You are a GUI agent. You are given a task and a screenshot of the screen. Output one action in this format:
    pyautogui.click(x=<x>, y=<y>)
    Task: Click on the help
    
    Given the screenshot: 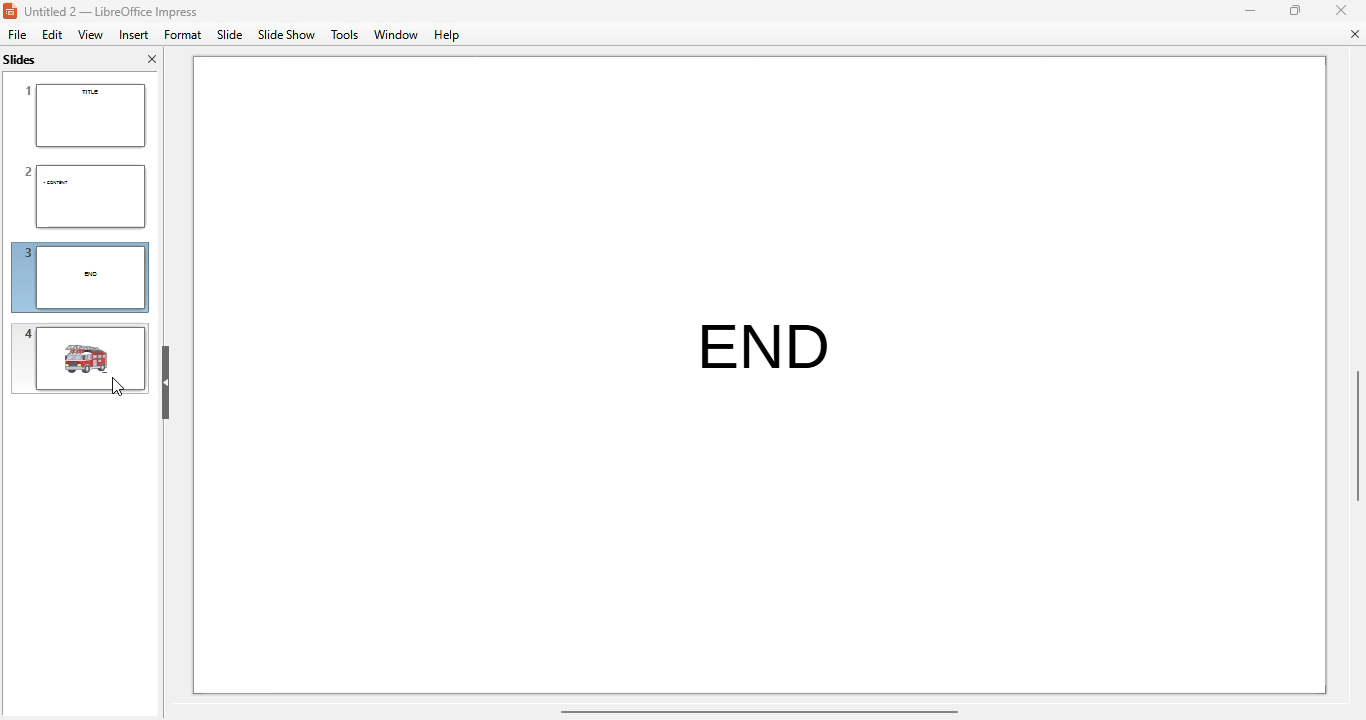 What is the action you would take?
    pyautogui.click(x=447, y=36)
    